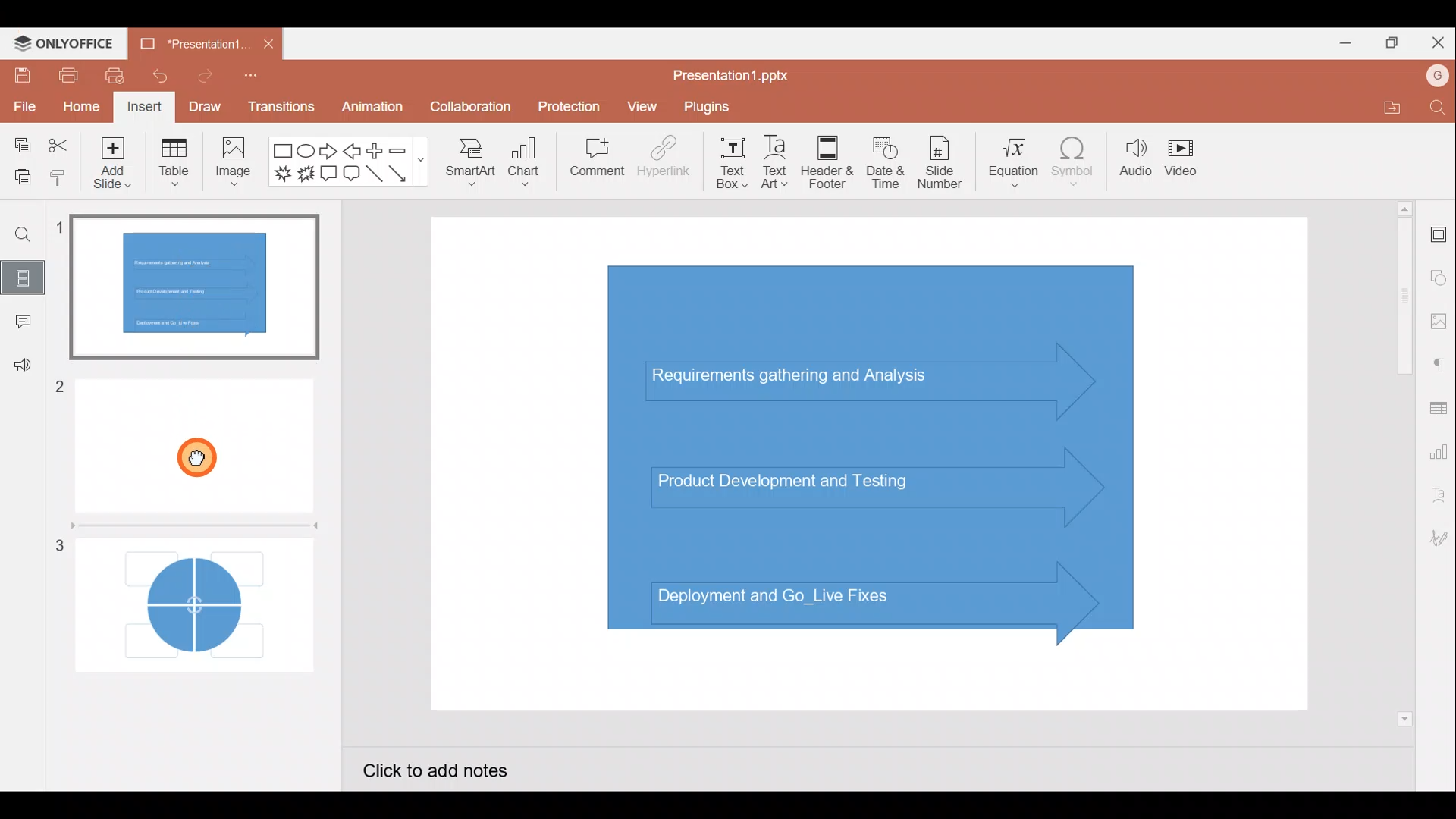 This screenshot has height=819, width=1456. Describe the element at coordinates (24, 237) in the screenshot. I see `Find` at that location.